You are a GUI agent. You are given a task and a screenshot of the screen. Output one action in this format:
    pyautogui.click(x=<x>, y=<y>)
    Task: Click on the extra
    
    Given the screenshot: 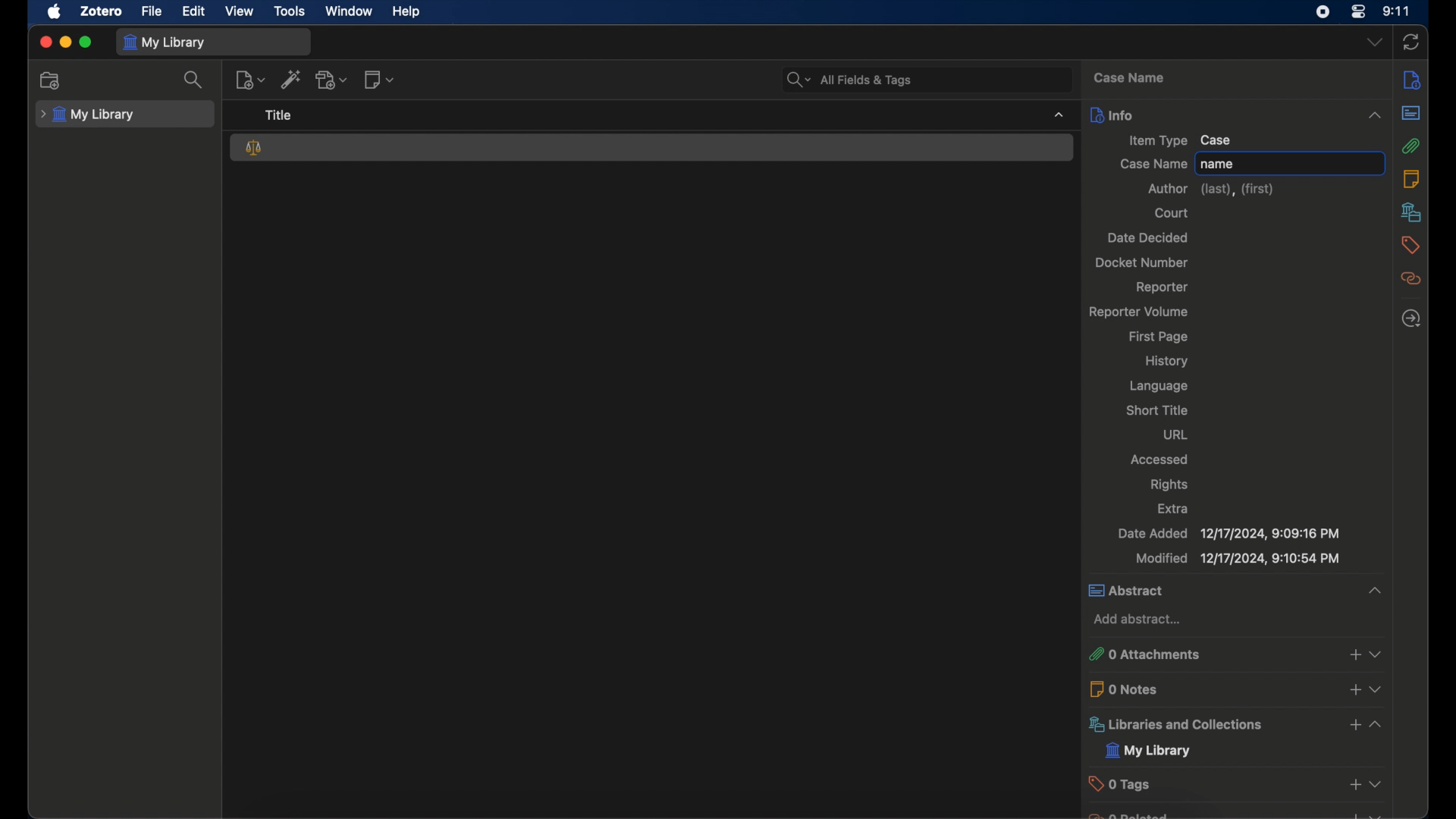 What is the action you would take?
    pyautogui.click(x=1173, y=509)
    